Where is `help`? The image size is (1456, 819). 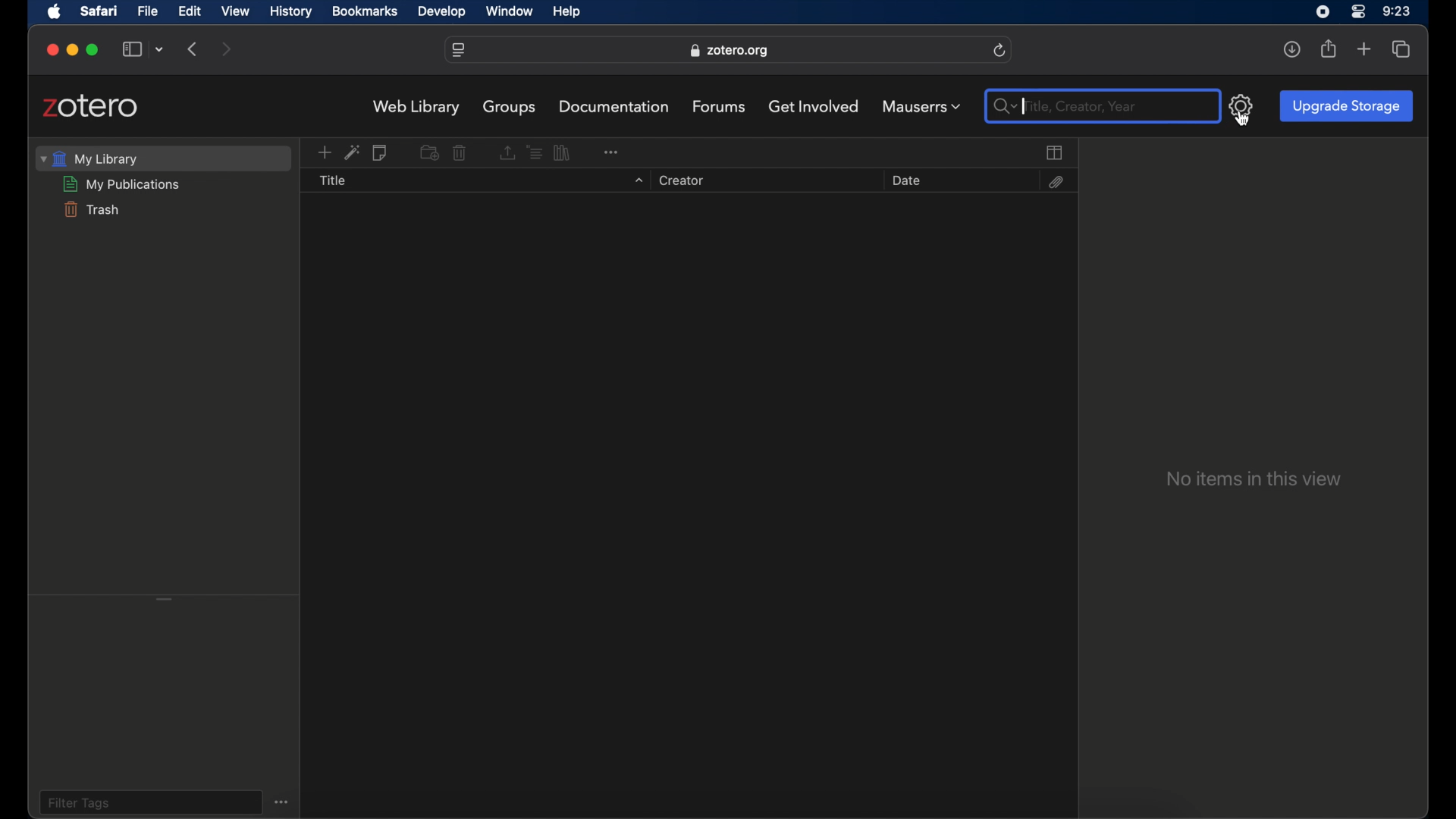 help is located at coordinates (566, 12).